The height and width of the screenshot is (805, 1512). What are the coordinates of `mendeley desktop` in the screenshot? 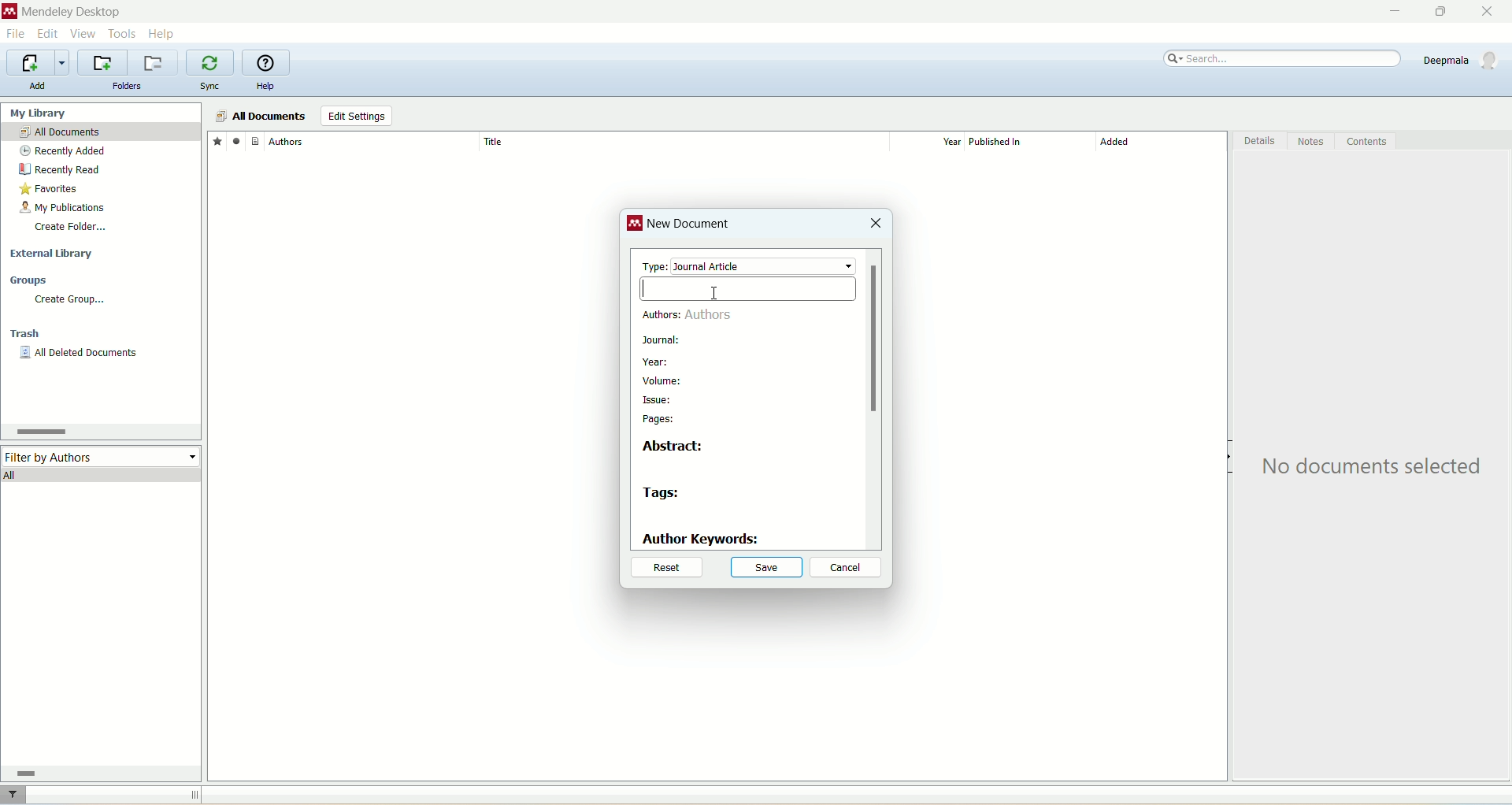 It's located at (69, 13).